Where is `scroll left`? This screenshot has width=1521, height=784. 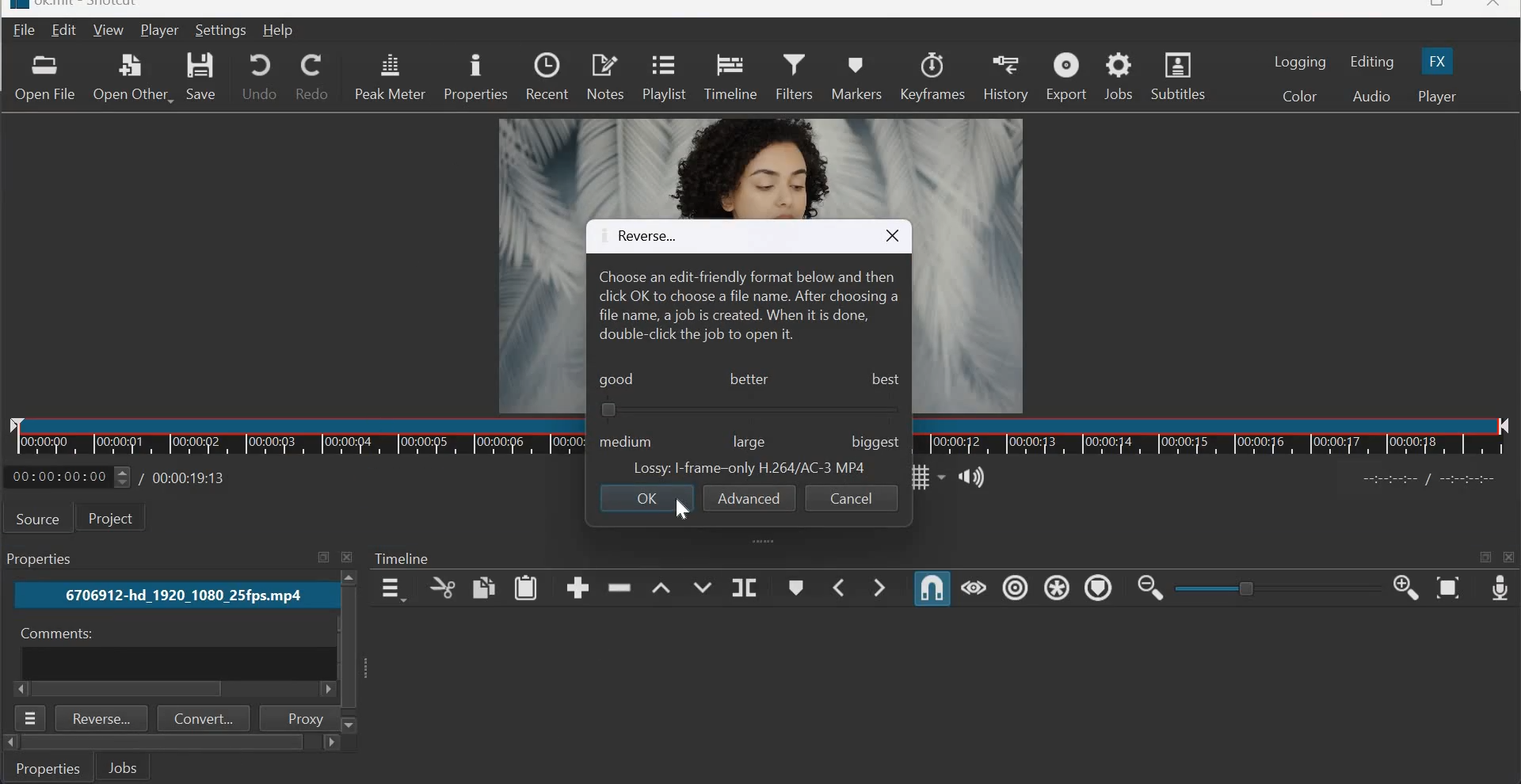
scroll left is located at coordinates (325, 691).